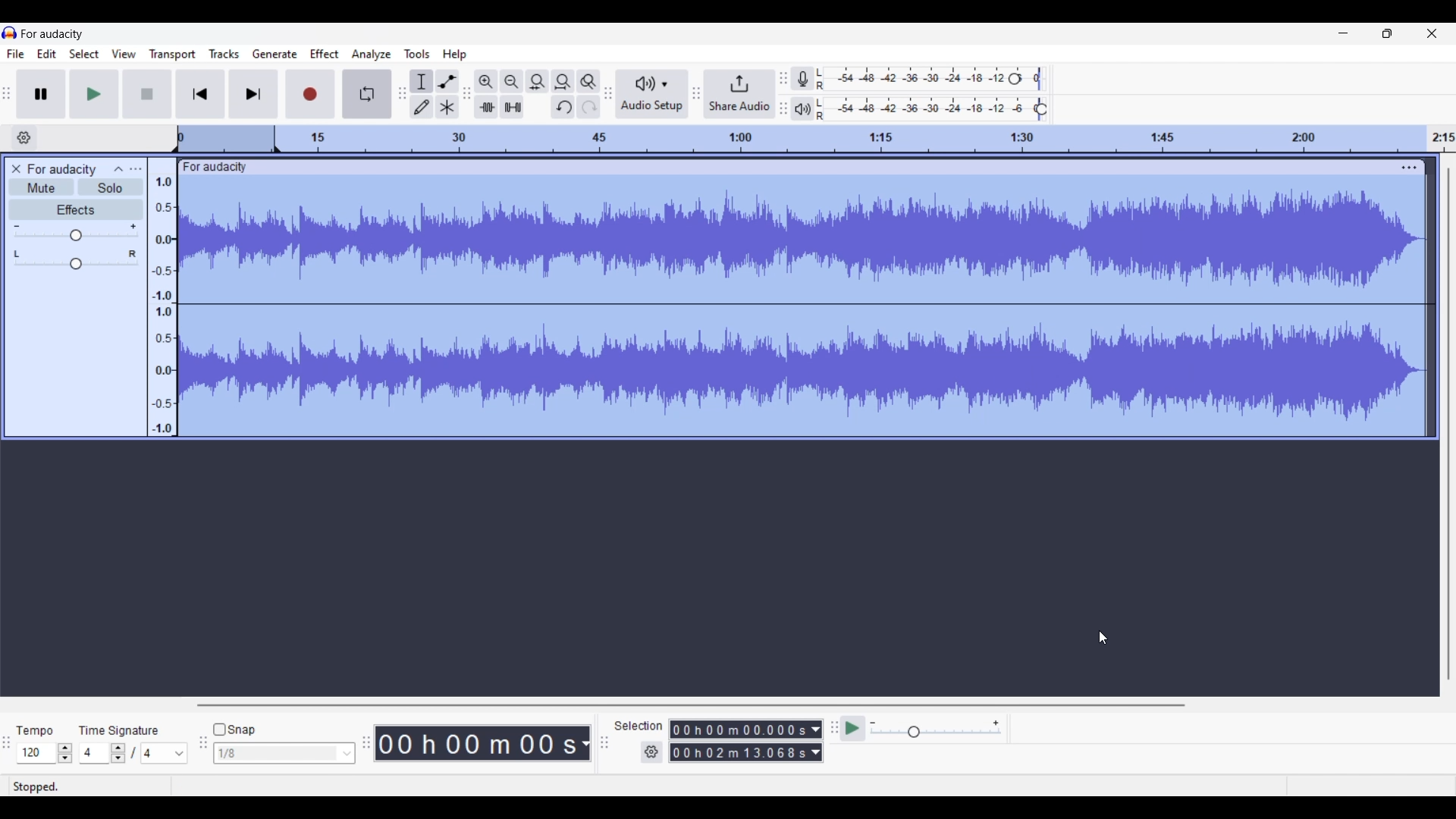 Image resolution: width=1456 pixels, height=819 pixels. What do you see at coordinates (1409, 168) in the screenshot?
I see `Track settings` at bounding box center [1409, 168].